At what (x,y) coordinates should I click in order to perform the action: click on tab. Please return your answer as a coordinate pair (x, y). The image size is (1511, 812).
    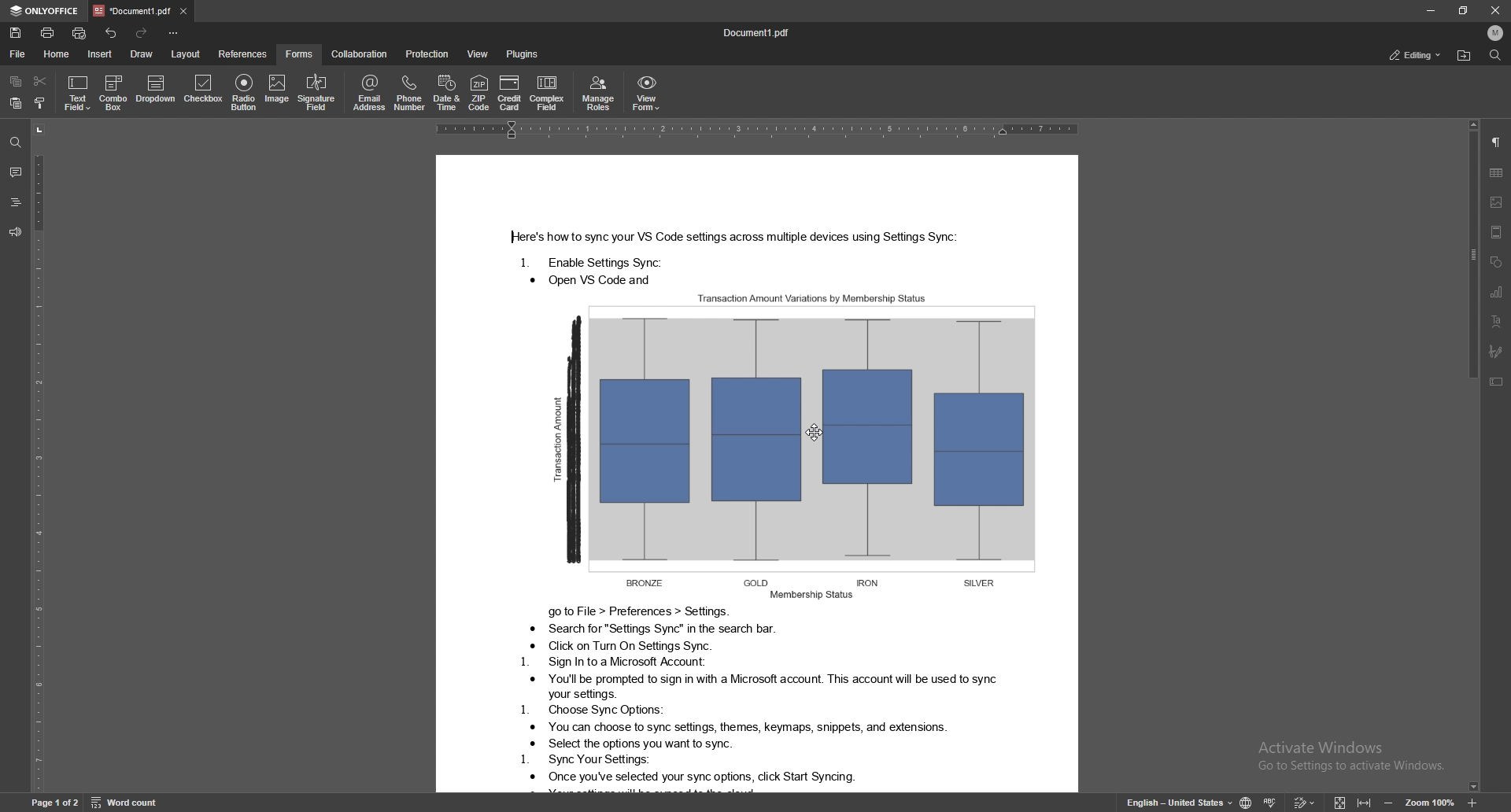
    Looking at the image, I should click on (131, 11).